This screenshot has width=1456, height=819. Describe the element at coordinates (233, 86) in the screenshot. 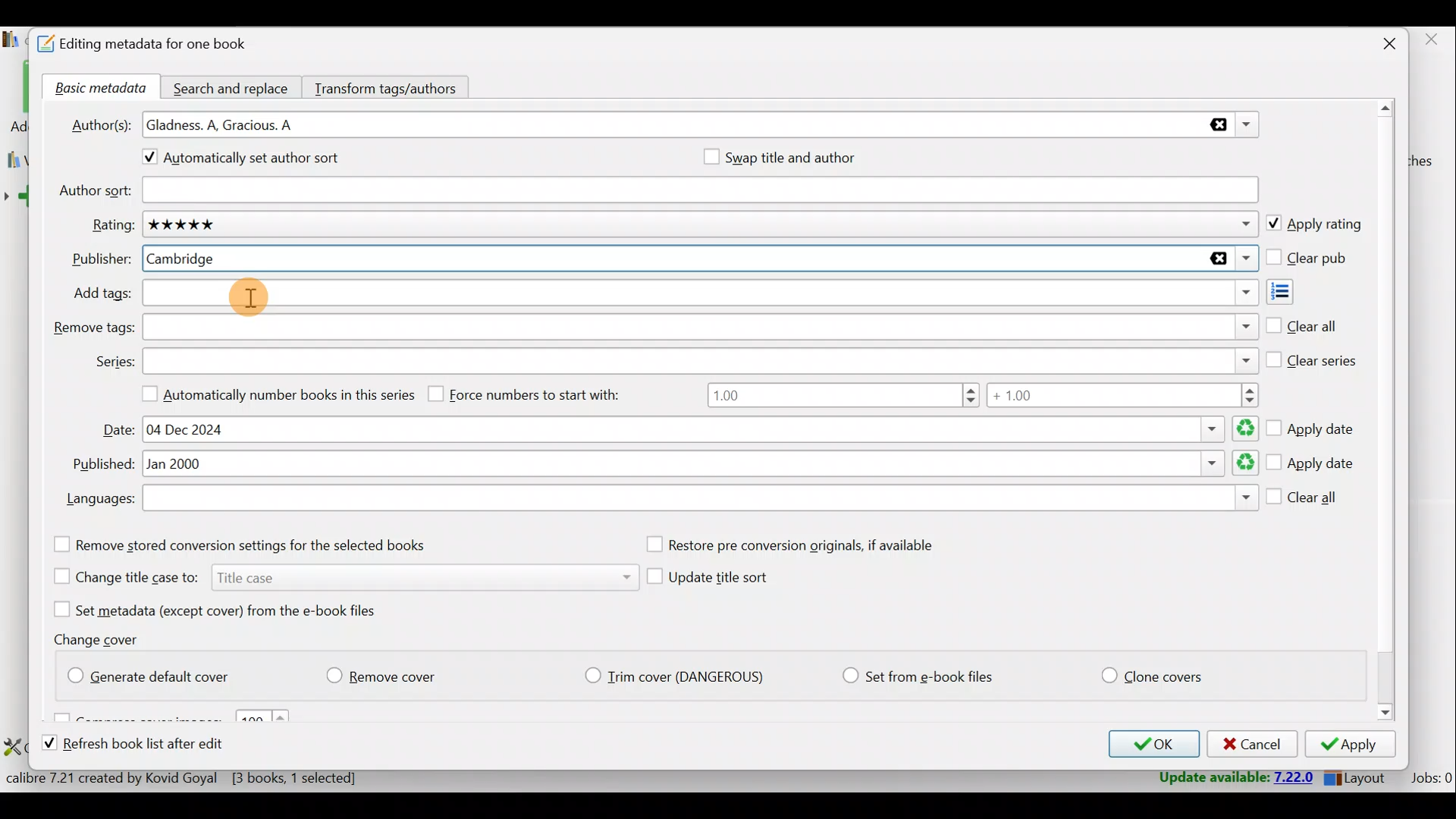

I see `Search and replace` at that location.